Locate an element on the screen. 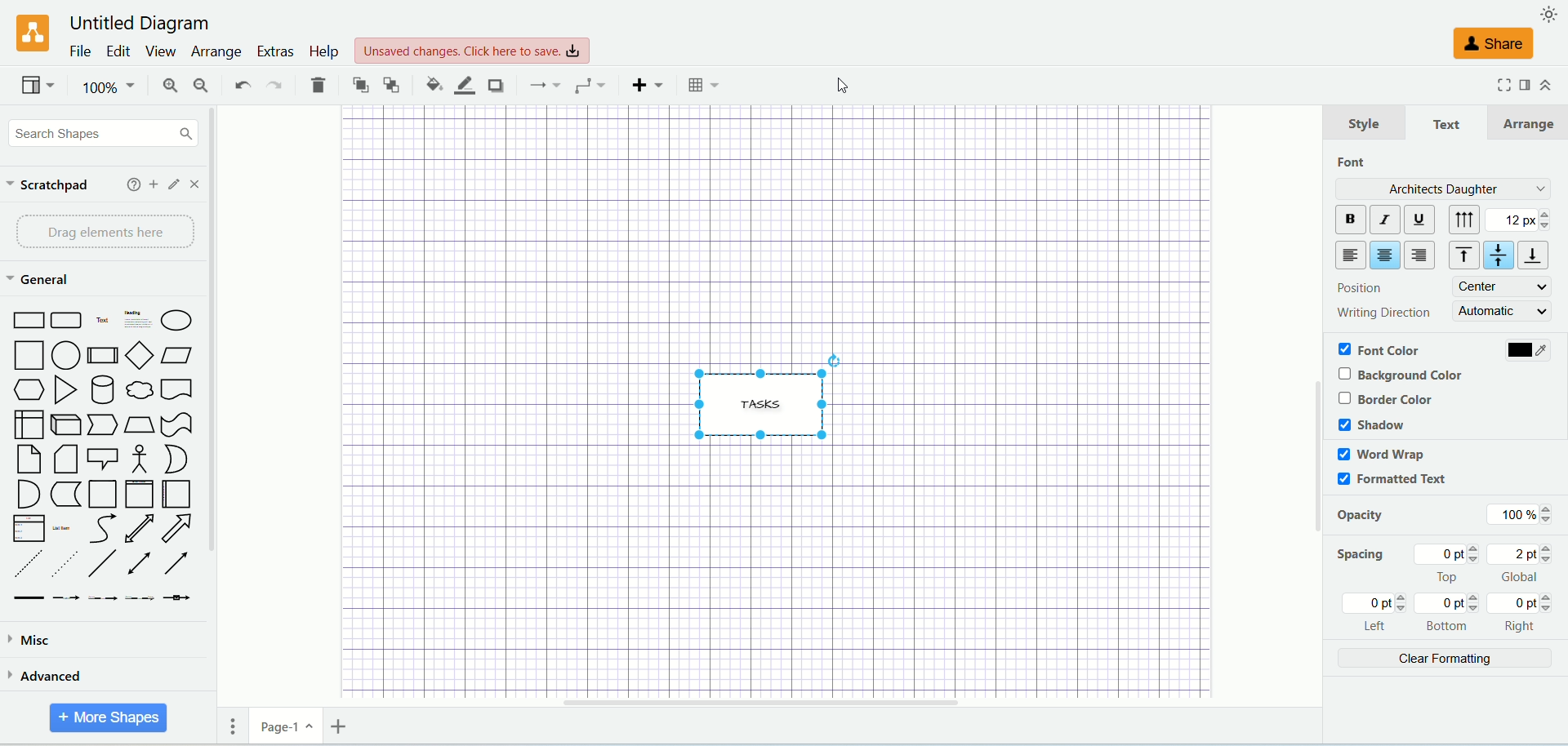 The width and height of the screenshot is (1568, 746). close is located at coordinates (198, 184).